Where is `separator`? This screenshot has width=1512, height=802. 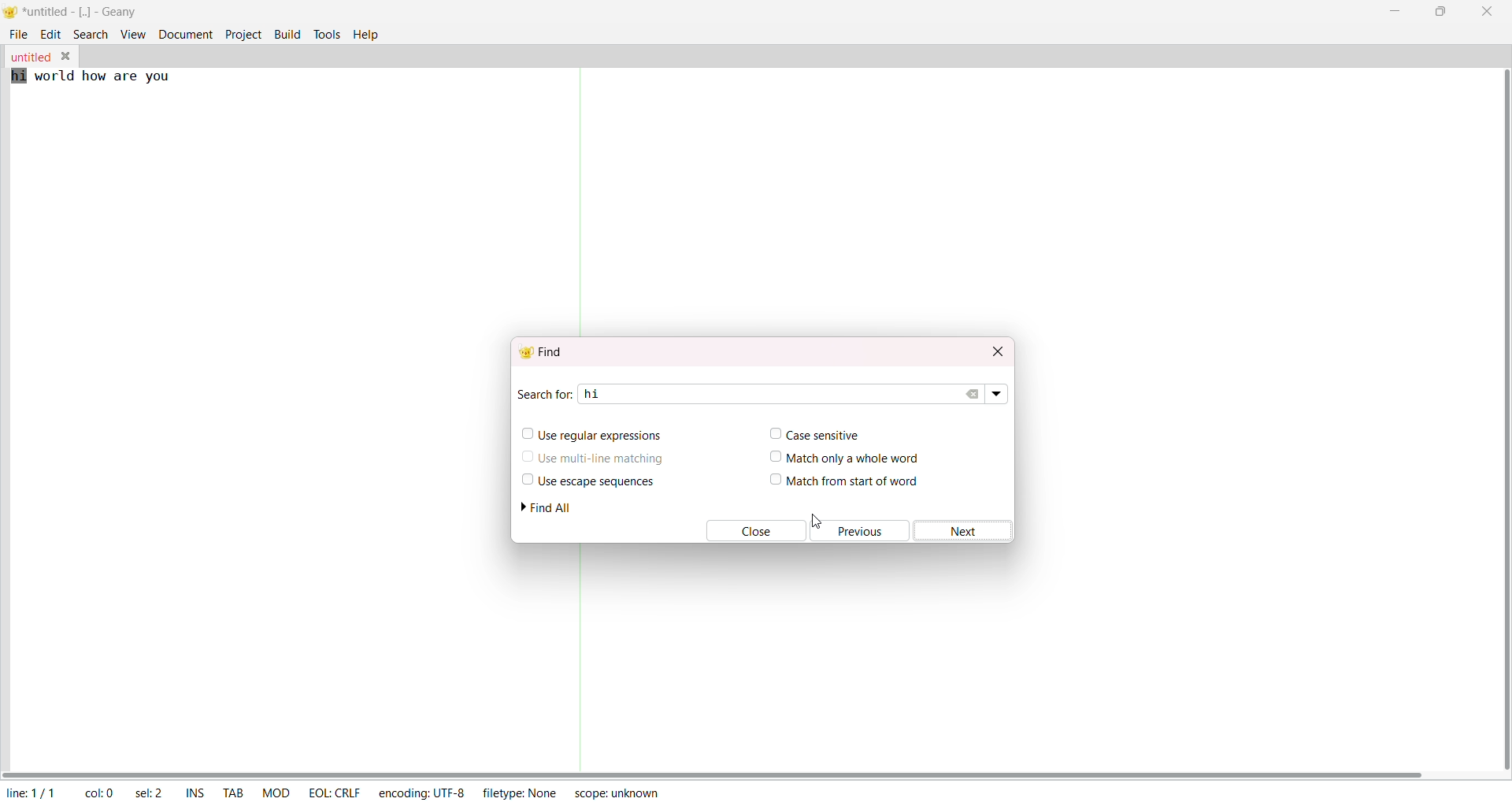
separator is located at coordinates (584, 655).